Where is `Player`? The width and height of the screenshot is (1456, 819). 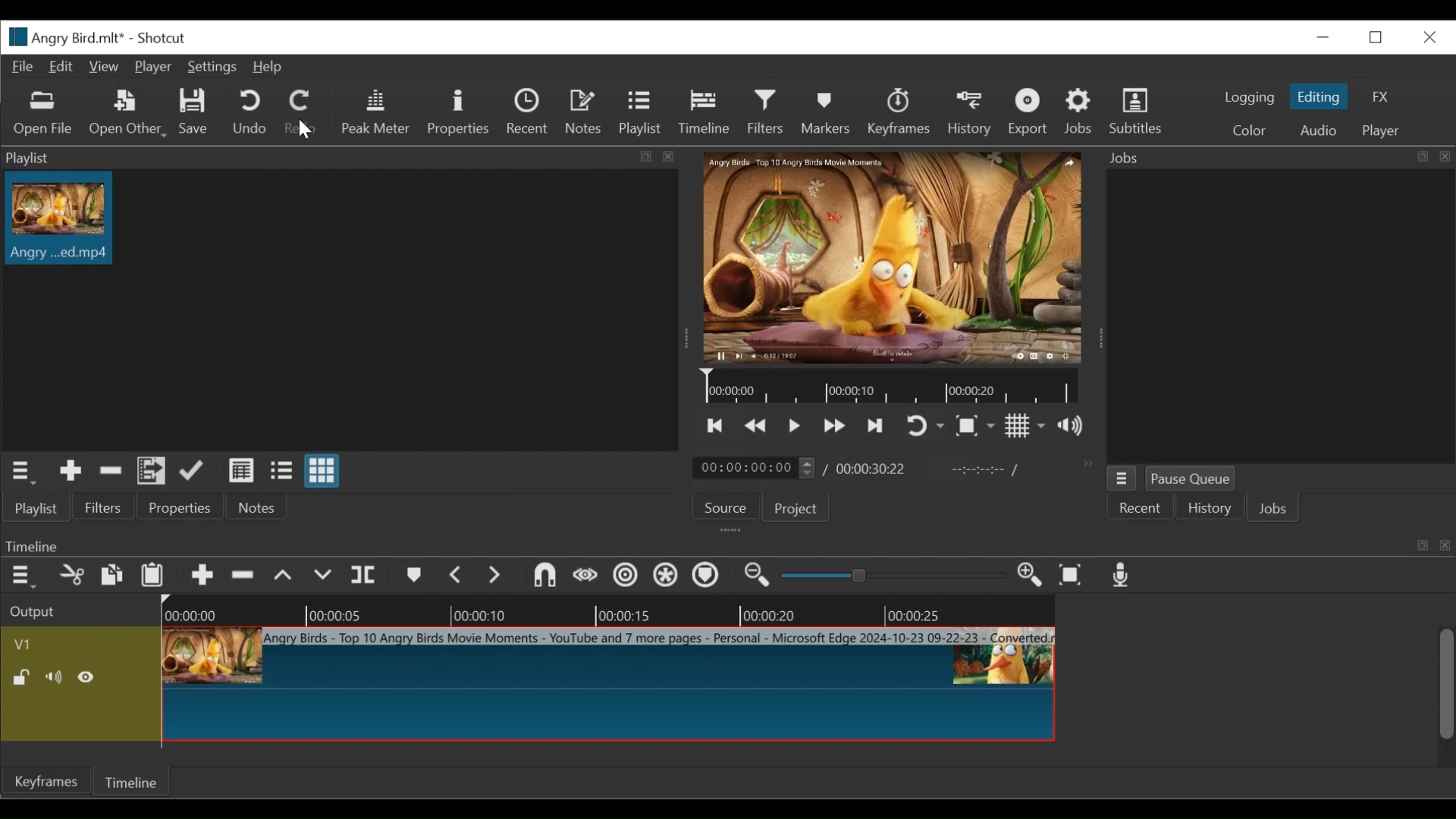 Player is located at coordinates (152, 67).